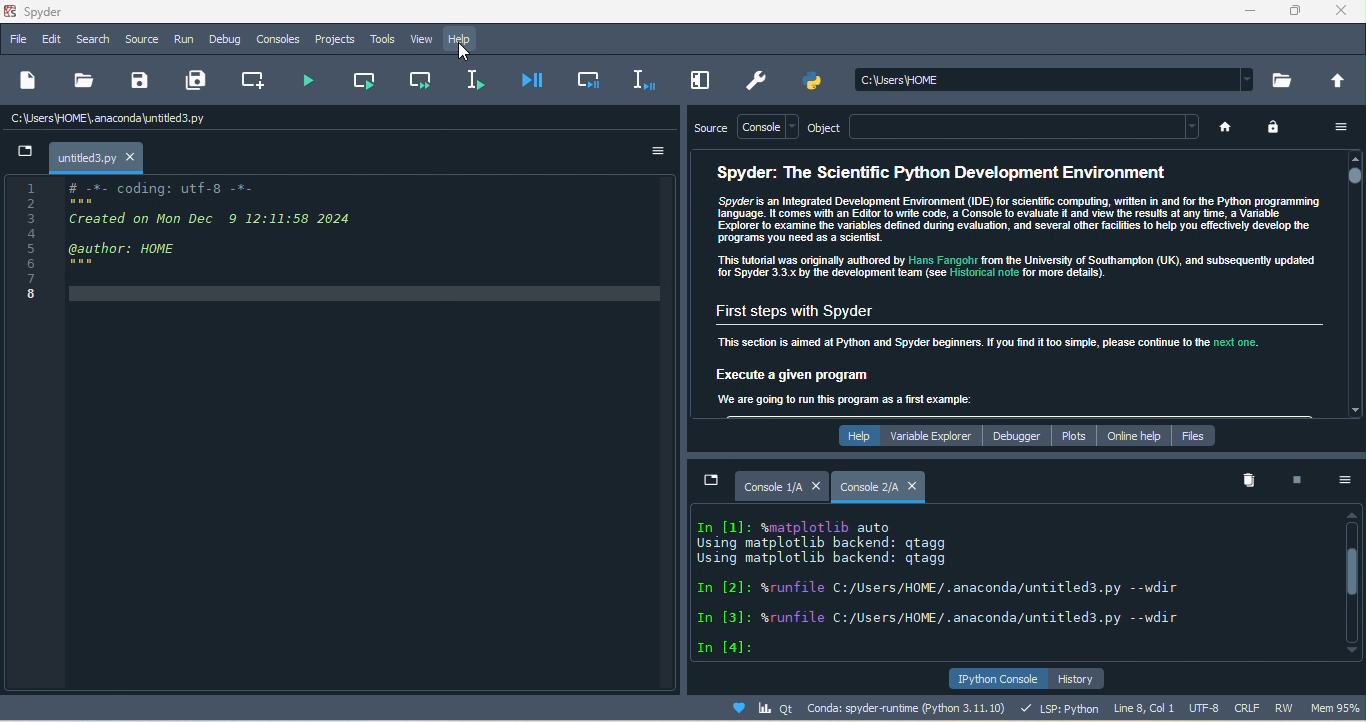 The height and width of the screenshot is (722, 1366). I want to click on source, so click(142, 37).